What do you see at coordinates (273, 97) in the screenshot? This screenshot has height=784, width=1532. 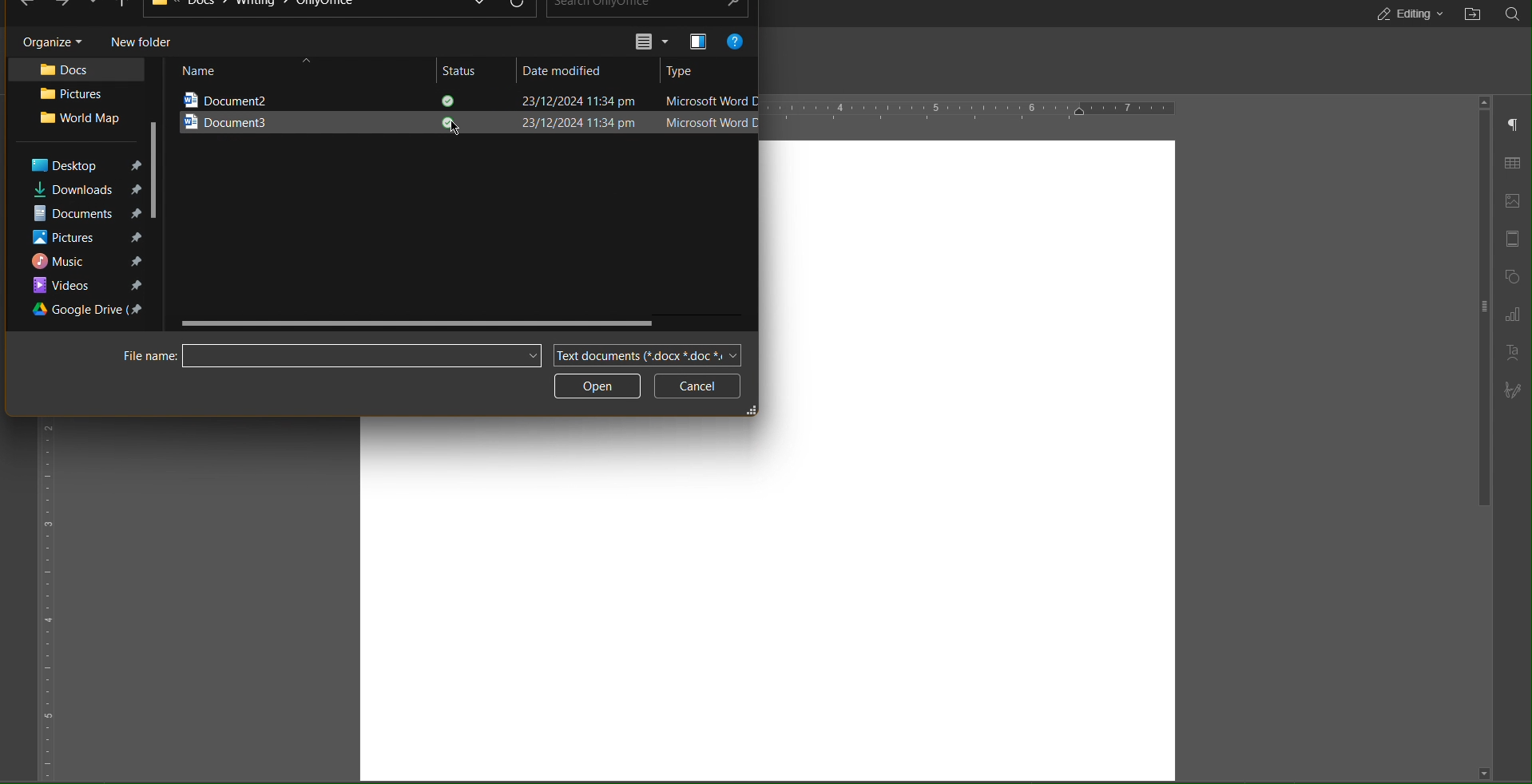 I see `Document2` at bounding box center [273, 97].